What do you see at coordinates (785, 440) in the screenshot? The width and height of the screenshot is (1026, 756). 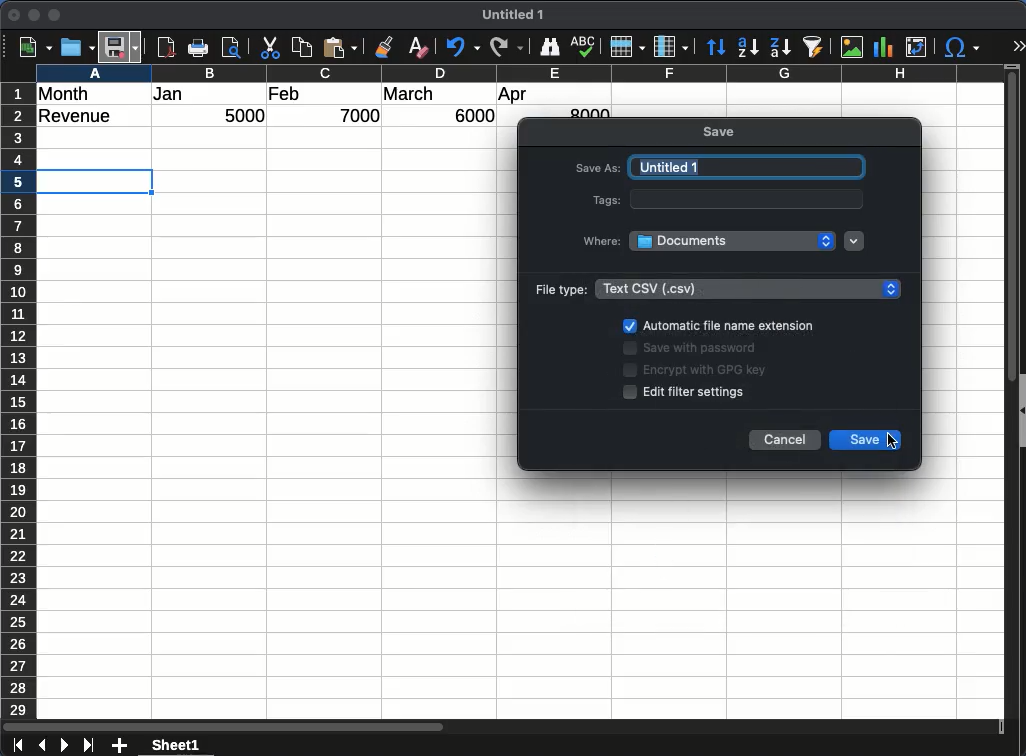 I see `Cancel` at bounding box center [785, 440].